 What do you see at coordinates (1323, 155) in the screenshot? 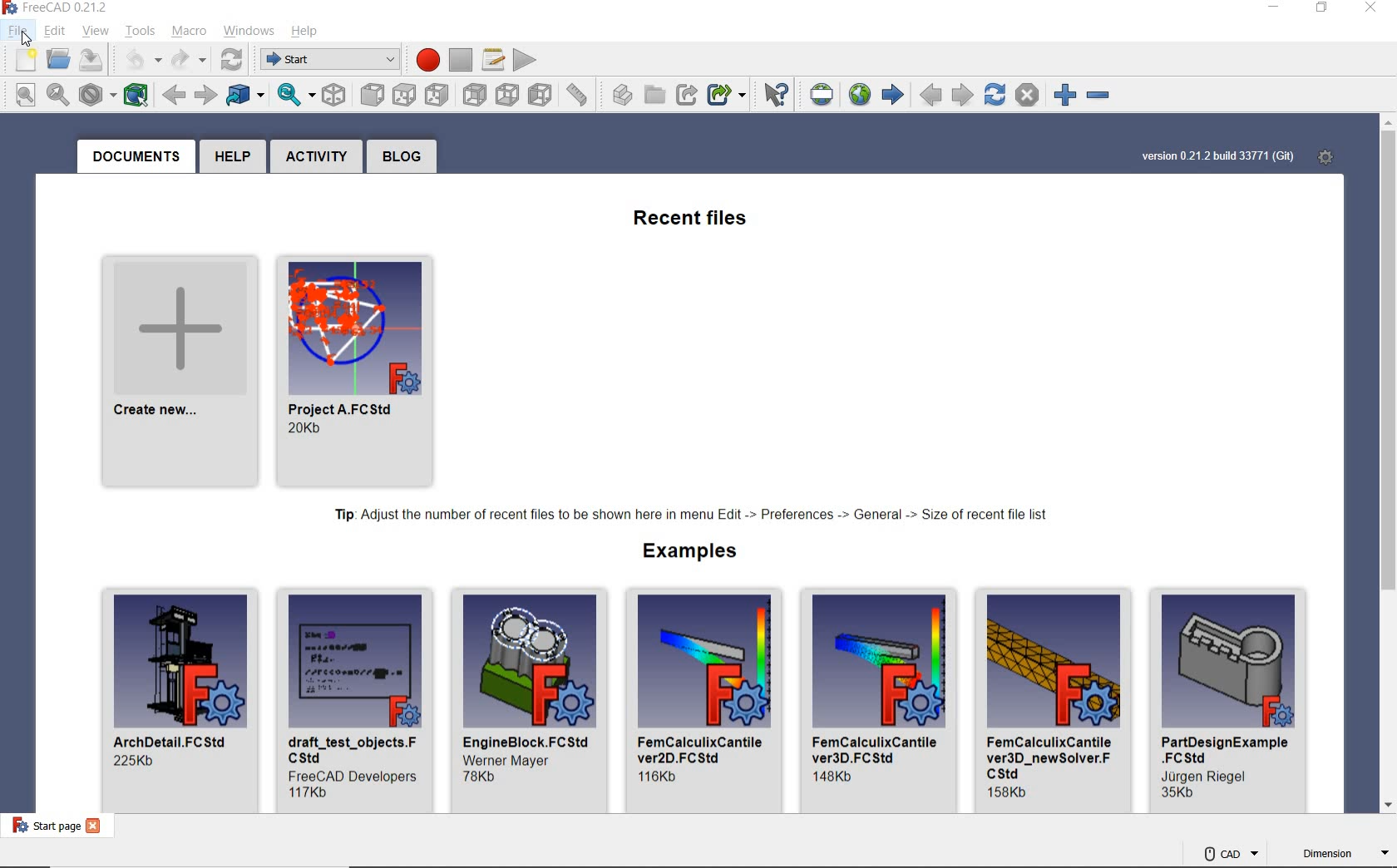
I see `OPEN START PAGE PREFERENCES` at bounding box center [1323, 155].